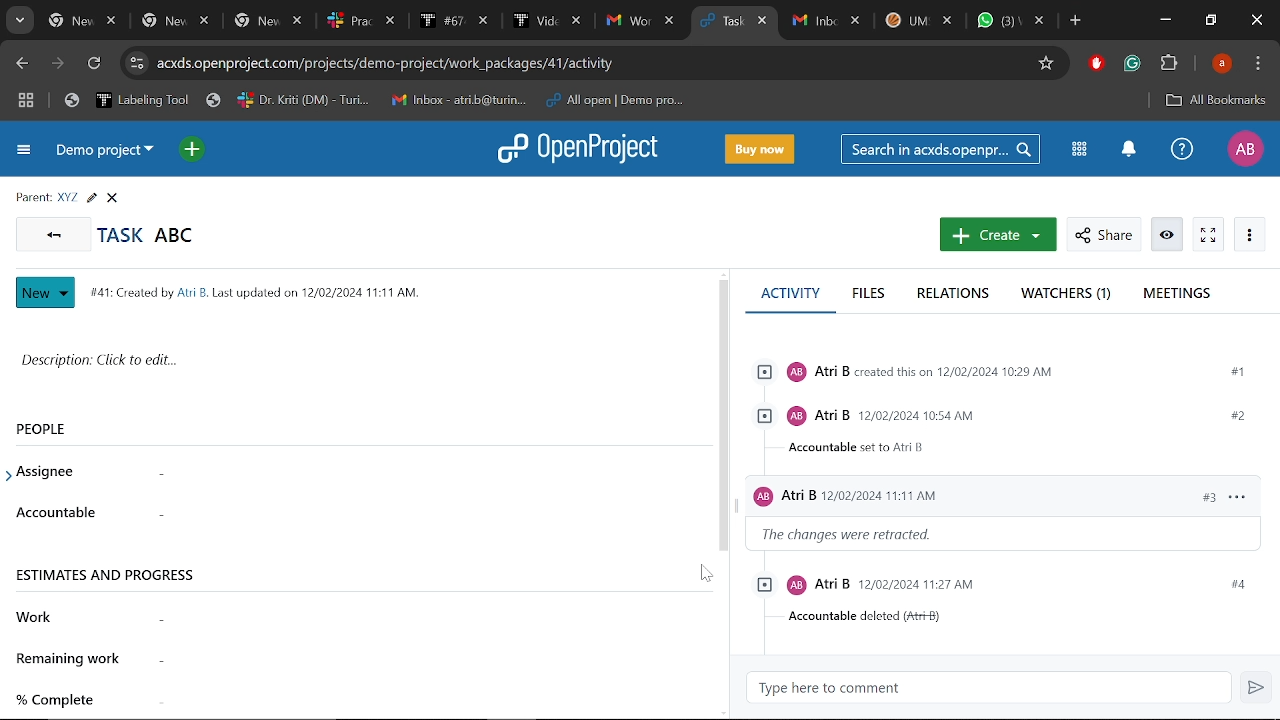 The image size is (1280, 720). What do you see at coordinates (583, 148) in the screenshot?
I see `Open project logo` at bounding box center [583, 148].